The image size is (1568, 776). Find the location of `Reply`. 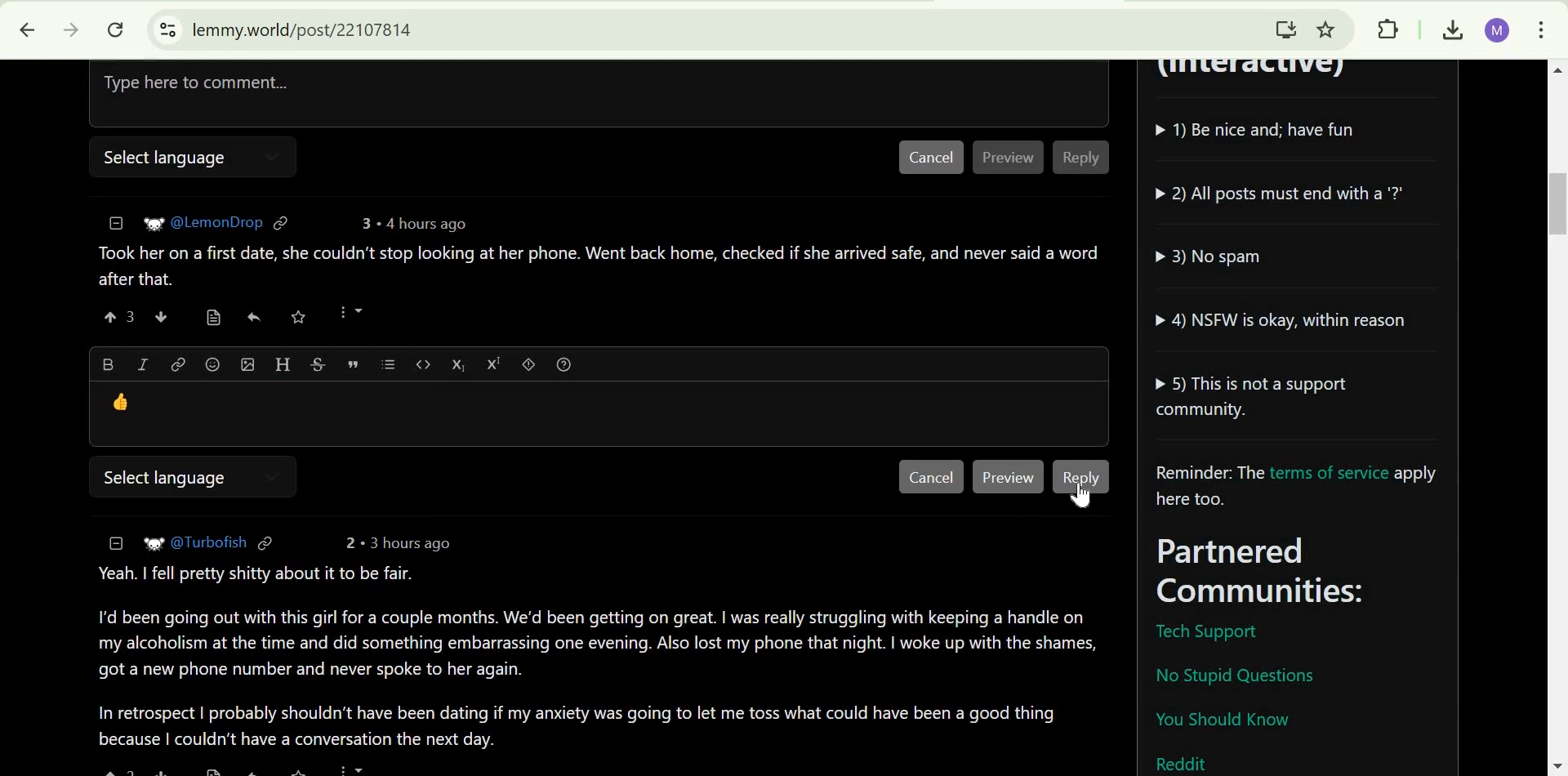

Reply is located at coordinates (1080, 158).